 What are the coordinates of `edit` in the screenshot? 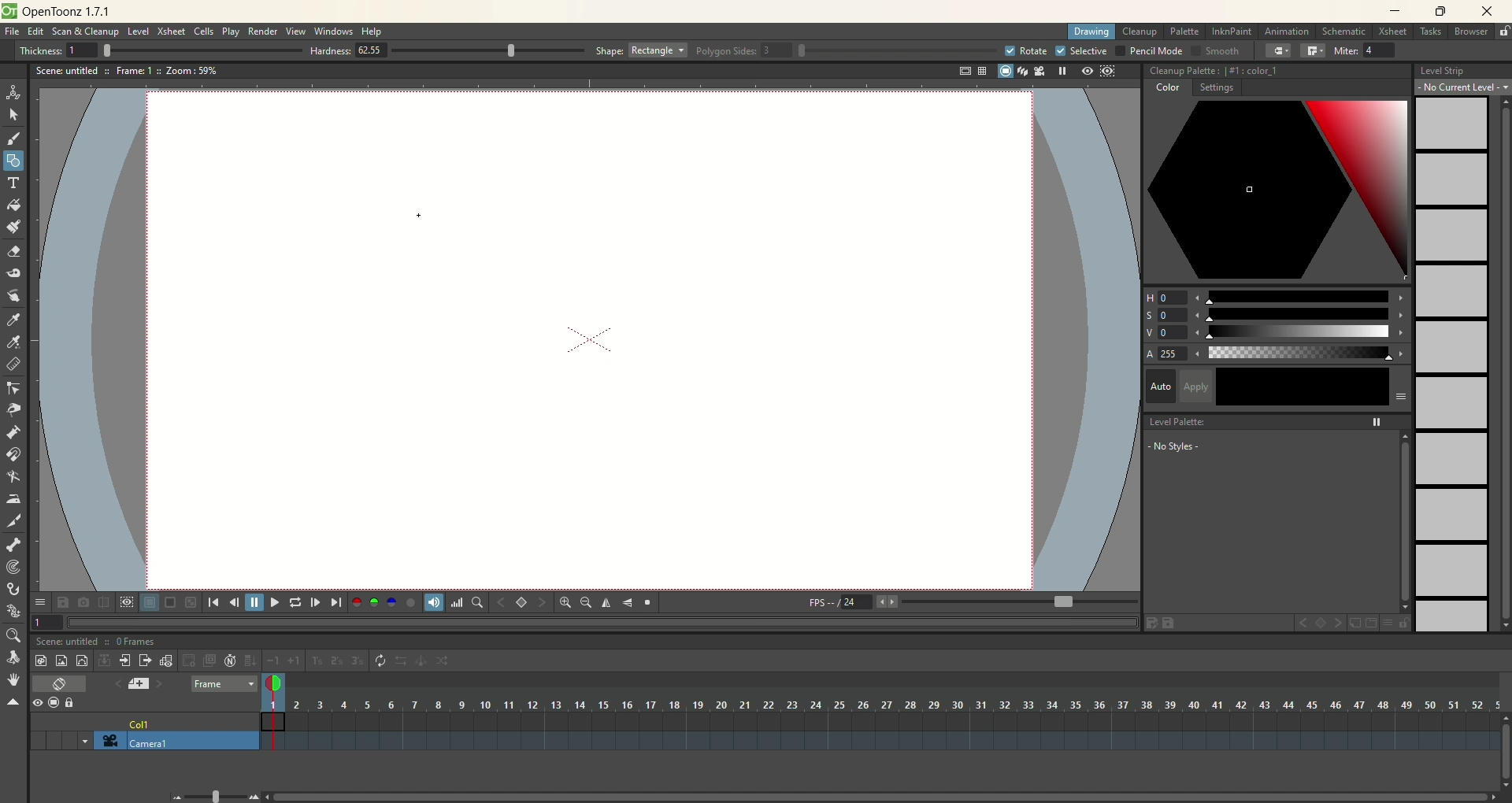 It's located at (35, 33).